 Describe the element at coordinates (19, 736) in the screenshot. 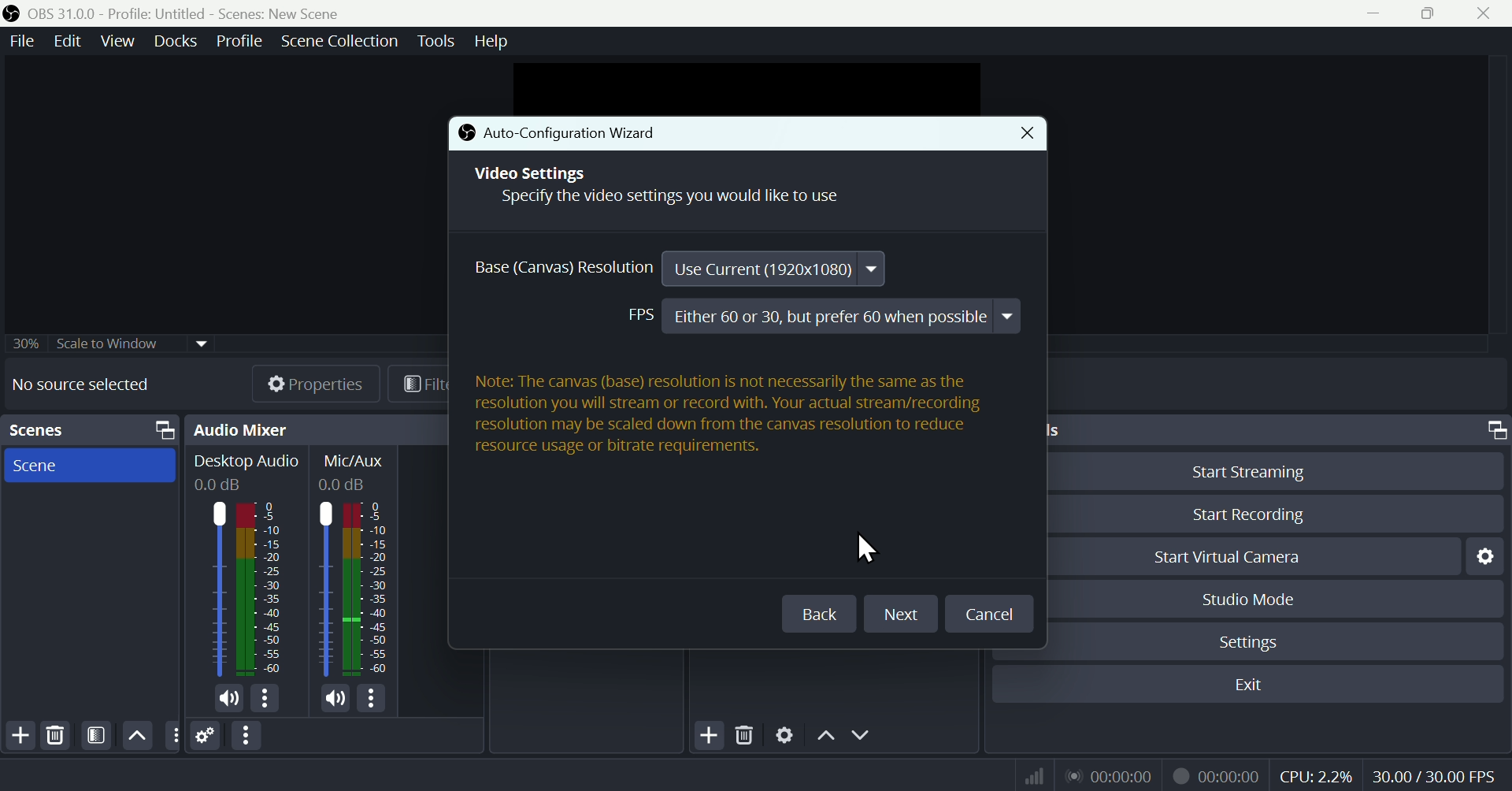

I see `Add` at that location.